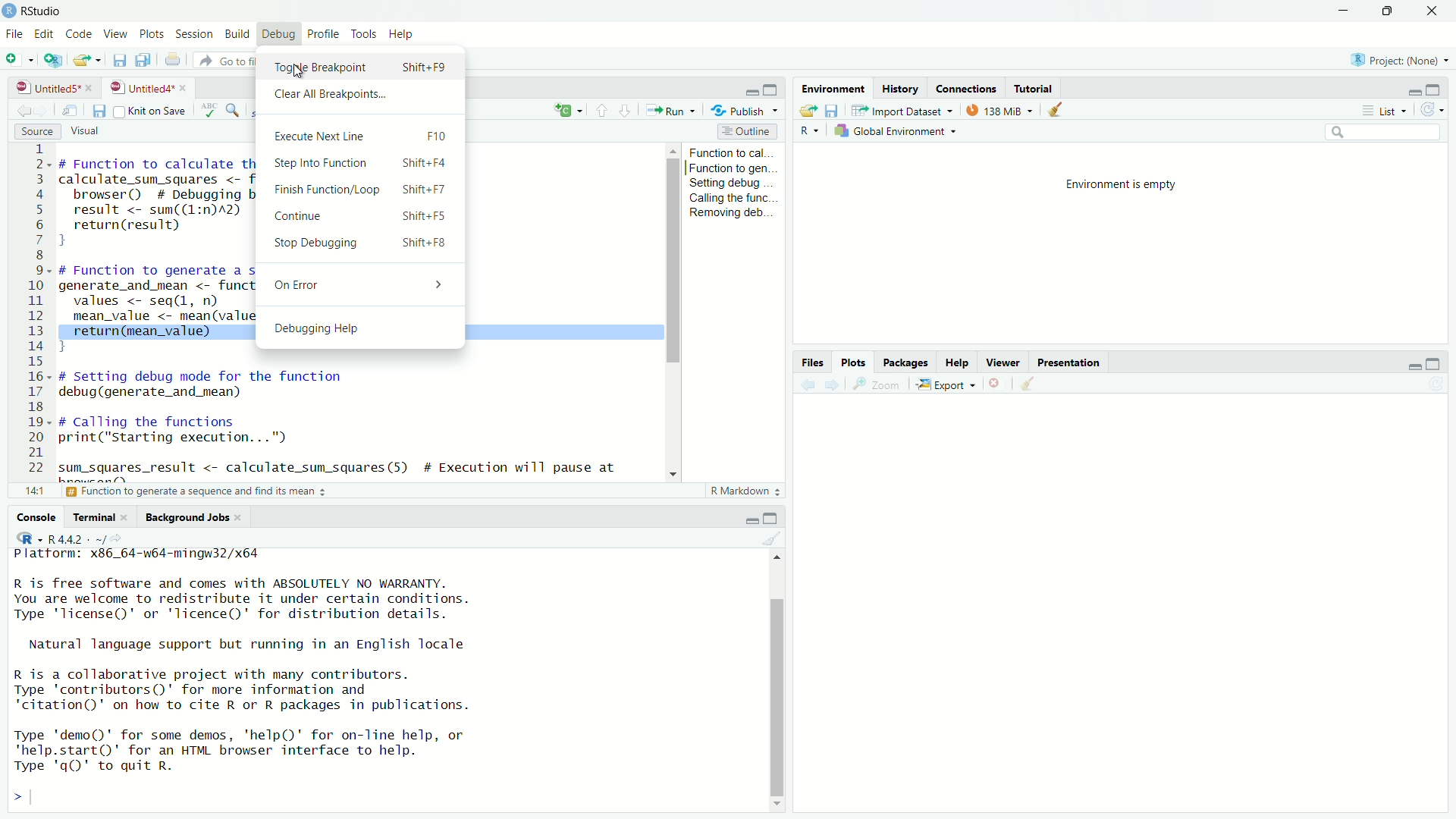  What do you see at coordinates (153, 309) in the screenshot?
I see `code of function to generate a sequence and find its mean` at bounding box center [153, 309].